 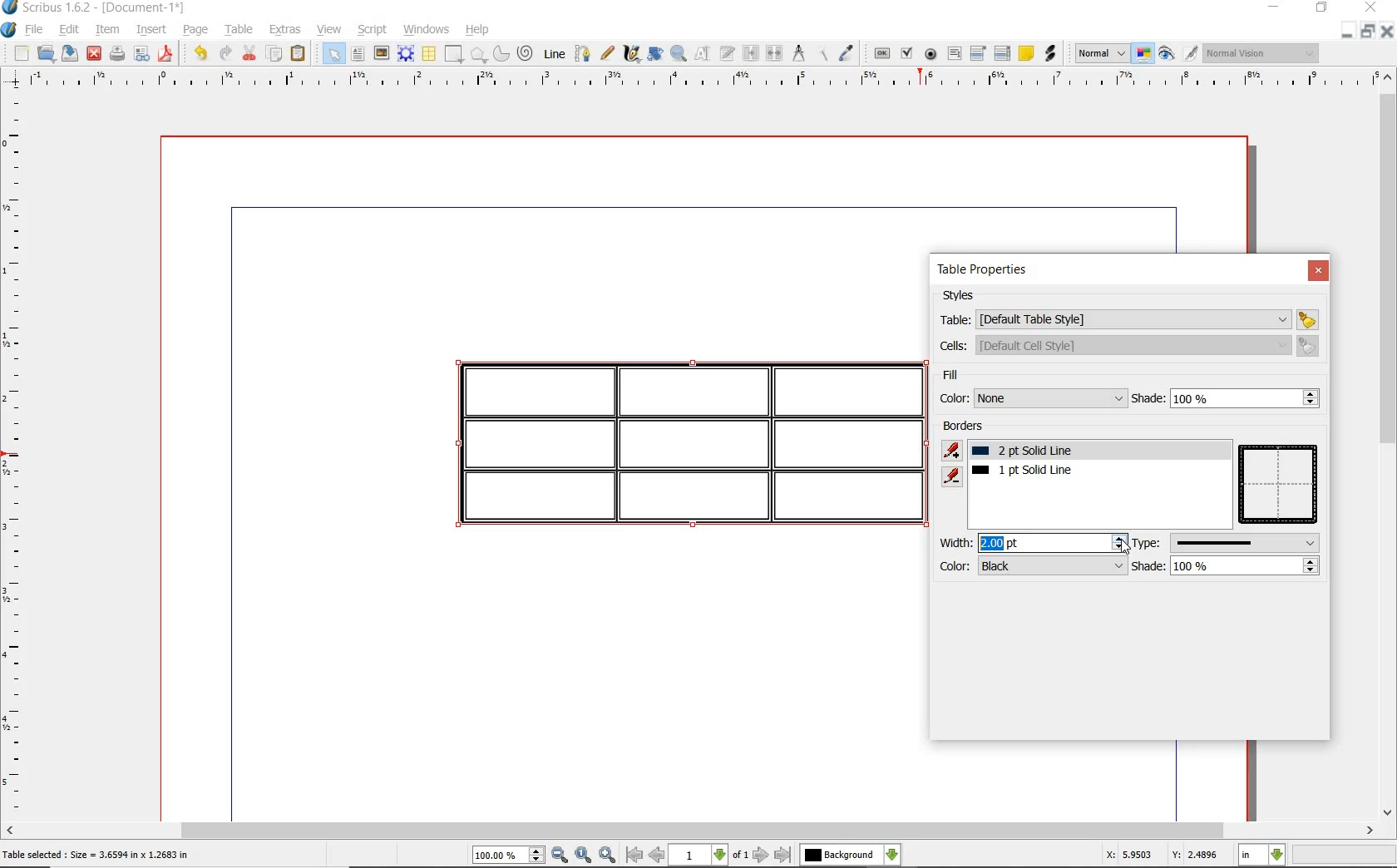 What do you see at coordinates (775, 53) in the screenshot?
I see `unlink text frames` at bounding box center [775, 53].